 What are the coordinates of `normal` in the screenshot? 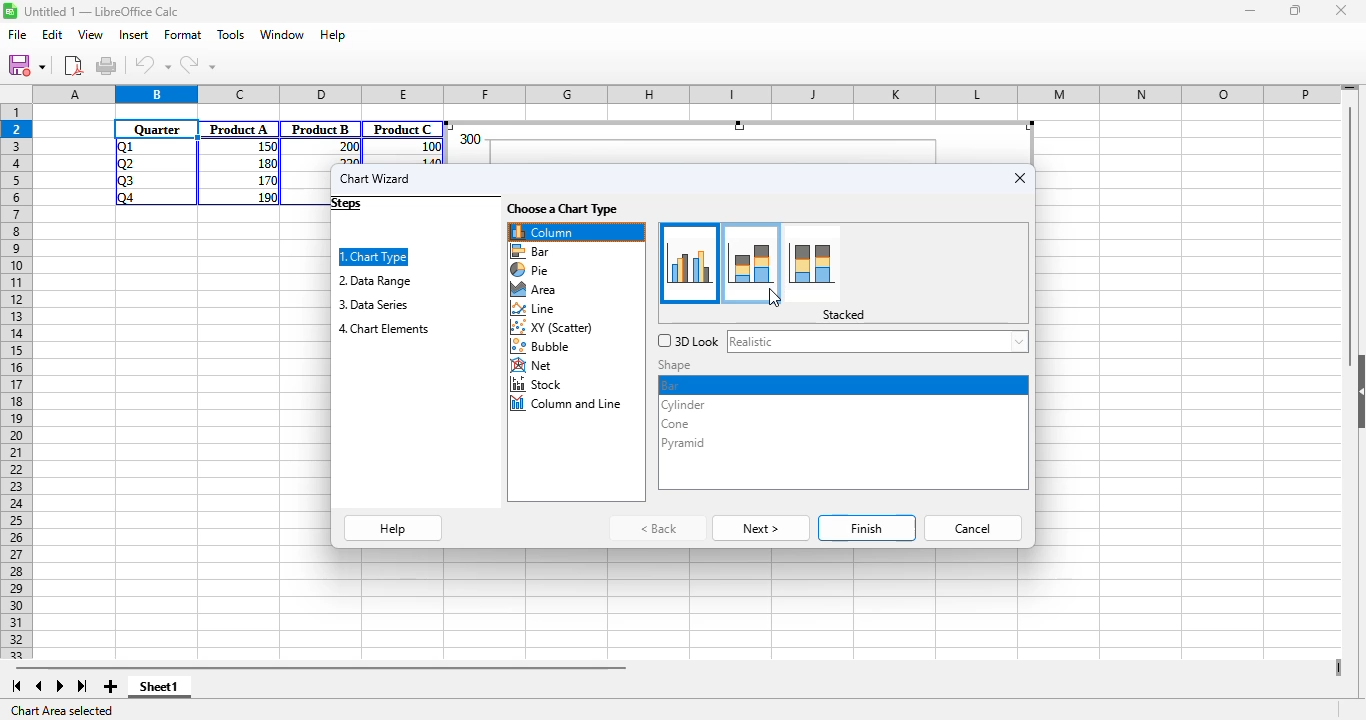 It's located at (692, 262).